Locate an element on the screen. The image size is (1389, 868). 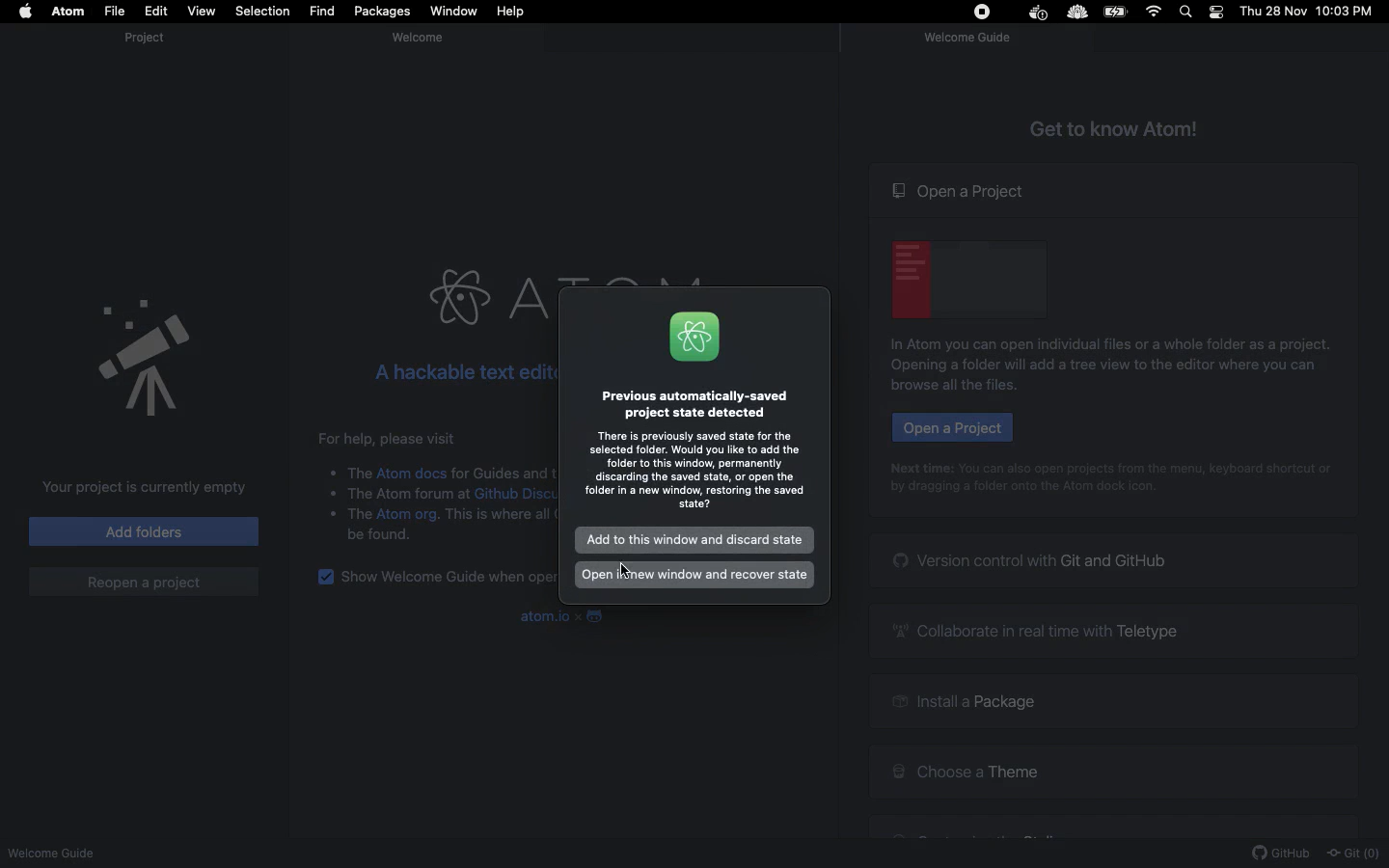
stops is located at coordinates (985, 14).